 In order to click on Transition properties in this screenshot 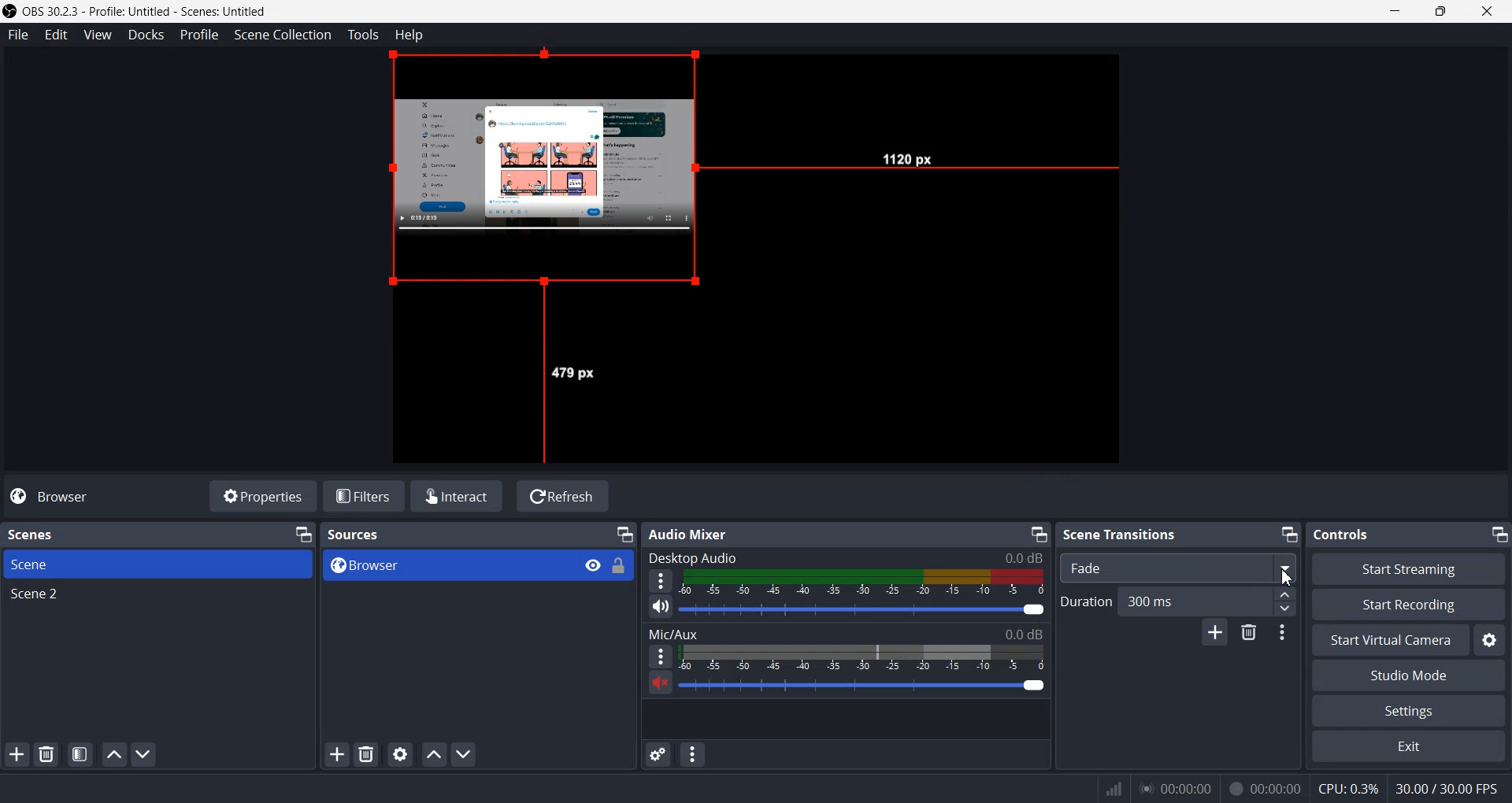, I will do `click(1281, 633)`.